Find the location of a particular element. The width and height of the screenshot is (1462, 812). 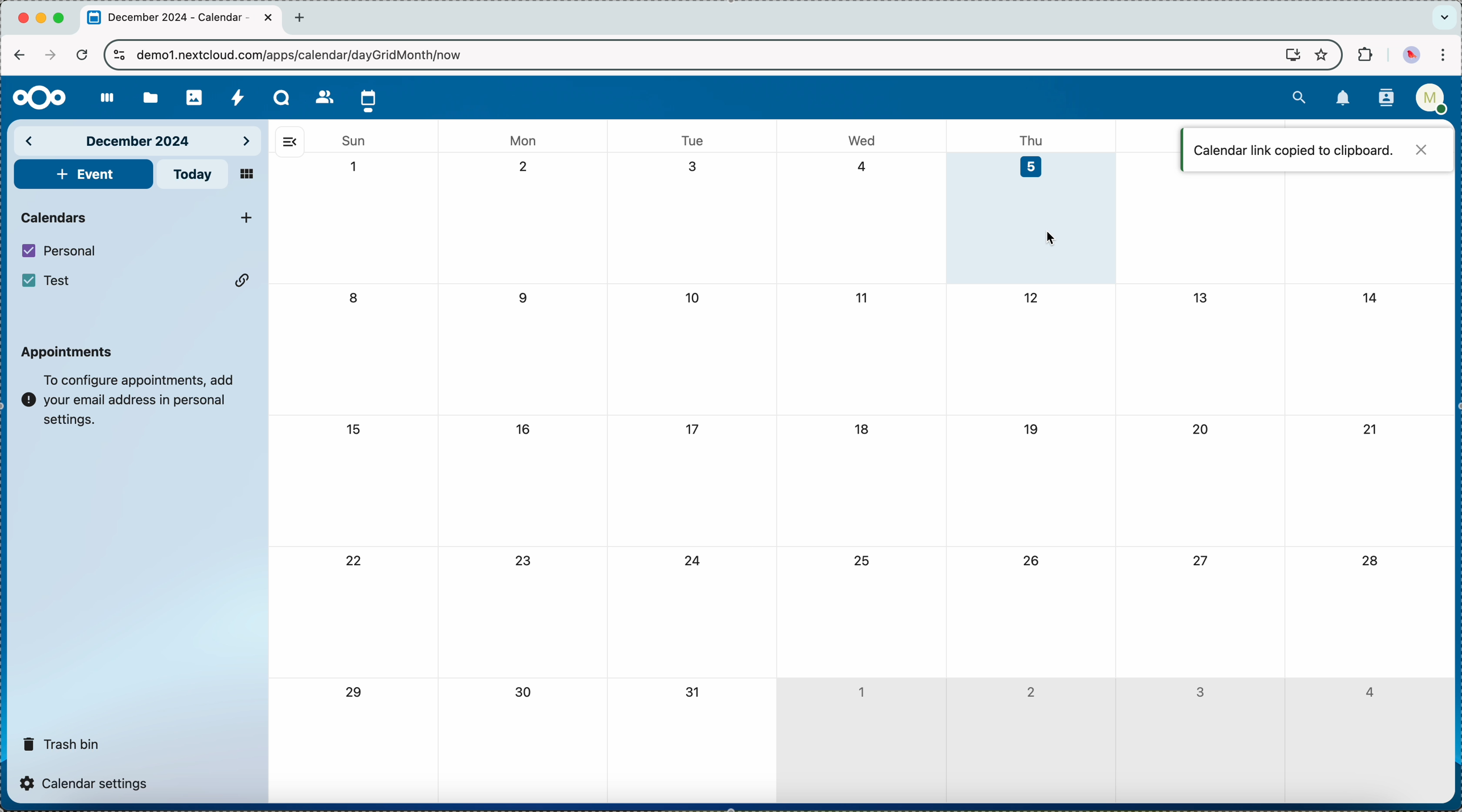

3 is located at coordinates (694, 166).